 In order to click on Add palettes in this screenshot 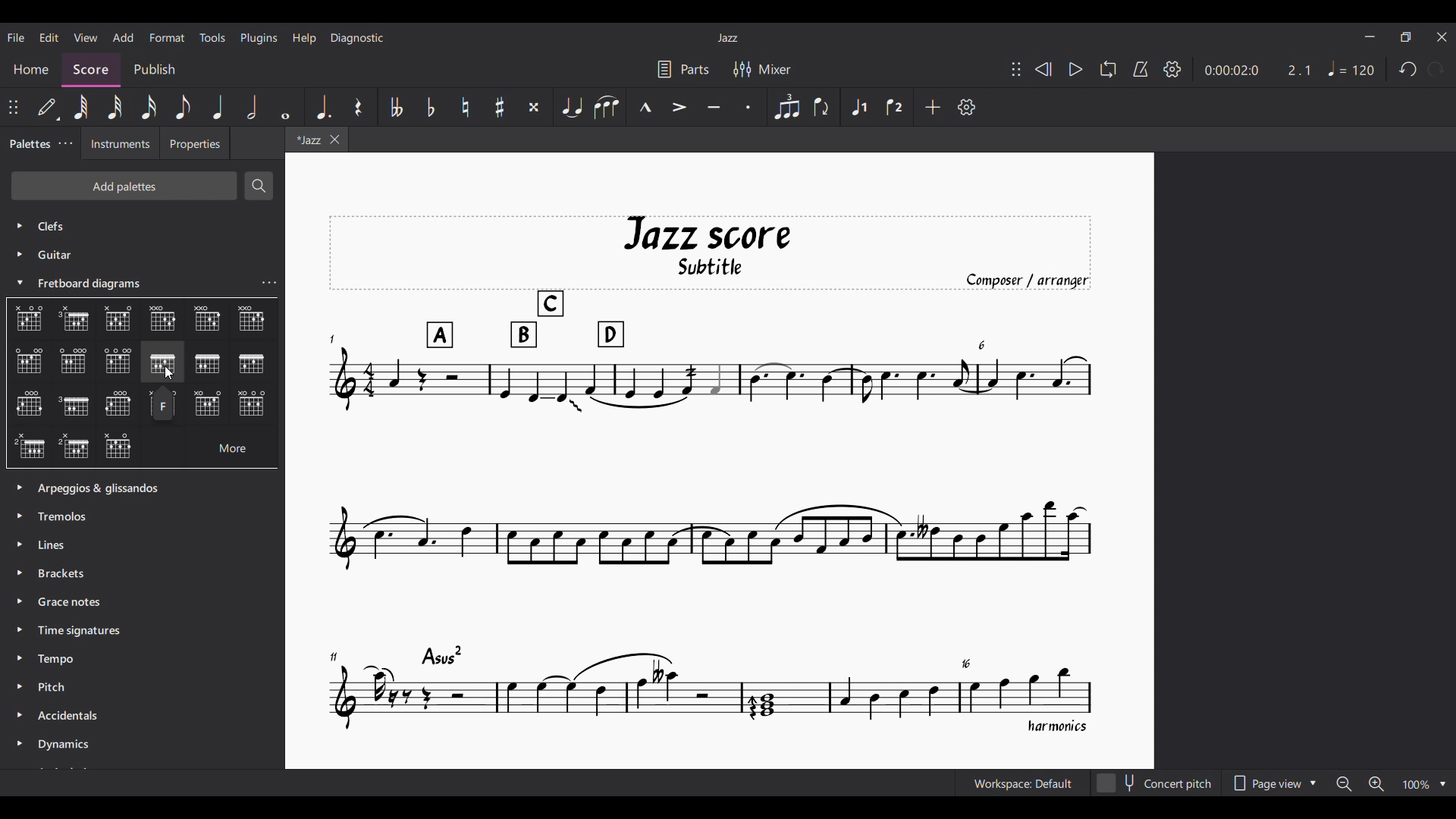, I will do `click(123, 185)`.